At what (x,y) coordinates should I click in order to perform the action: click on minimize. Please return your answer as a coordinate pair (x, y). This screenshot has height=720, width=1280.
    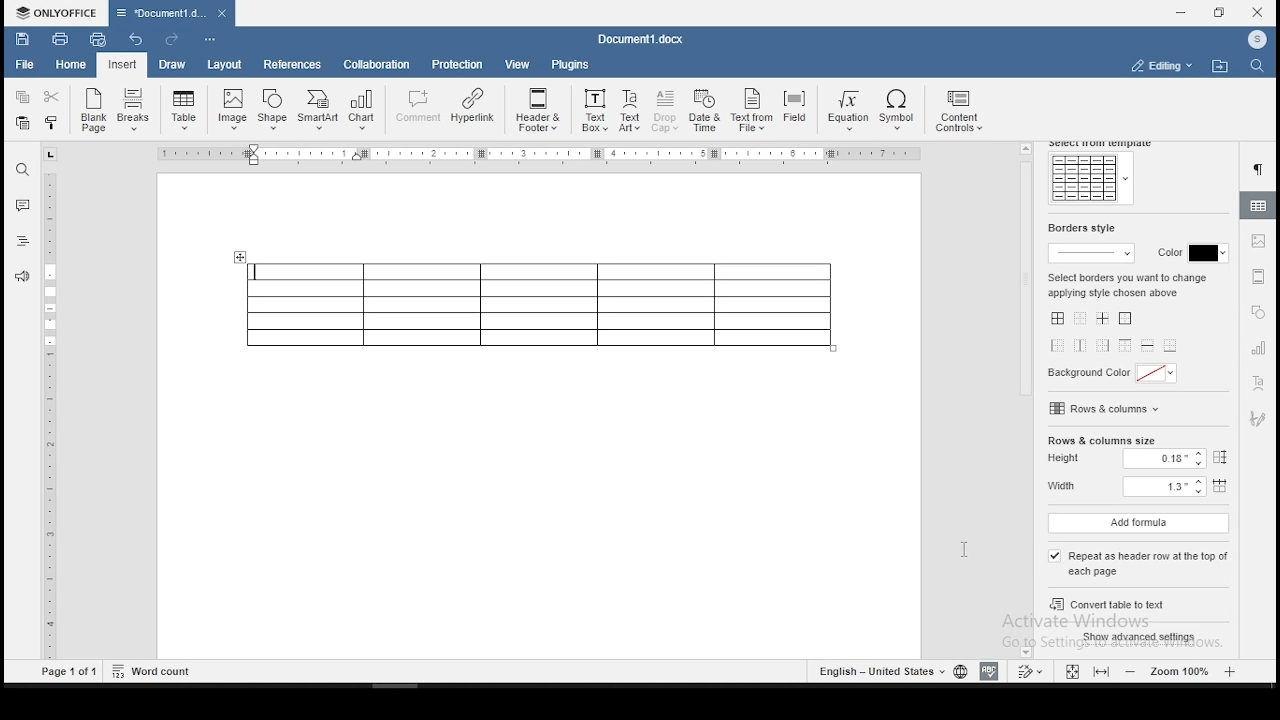
    Looking at the image, I should click on (1183, 12).